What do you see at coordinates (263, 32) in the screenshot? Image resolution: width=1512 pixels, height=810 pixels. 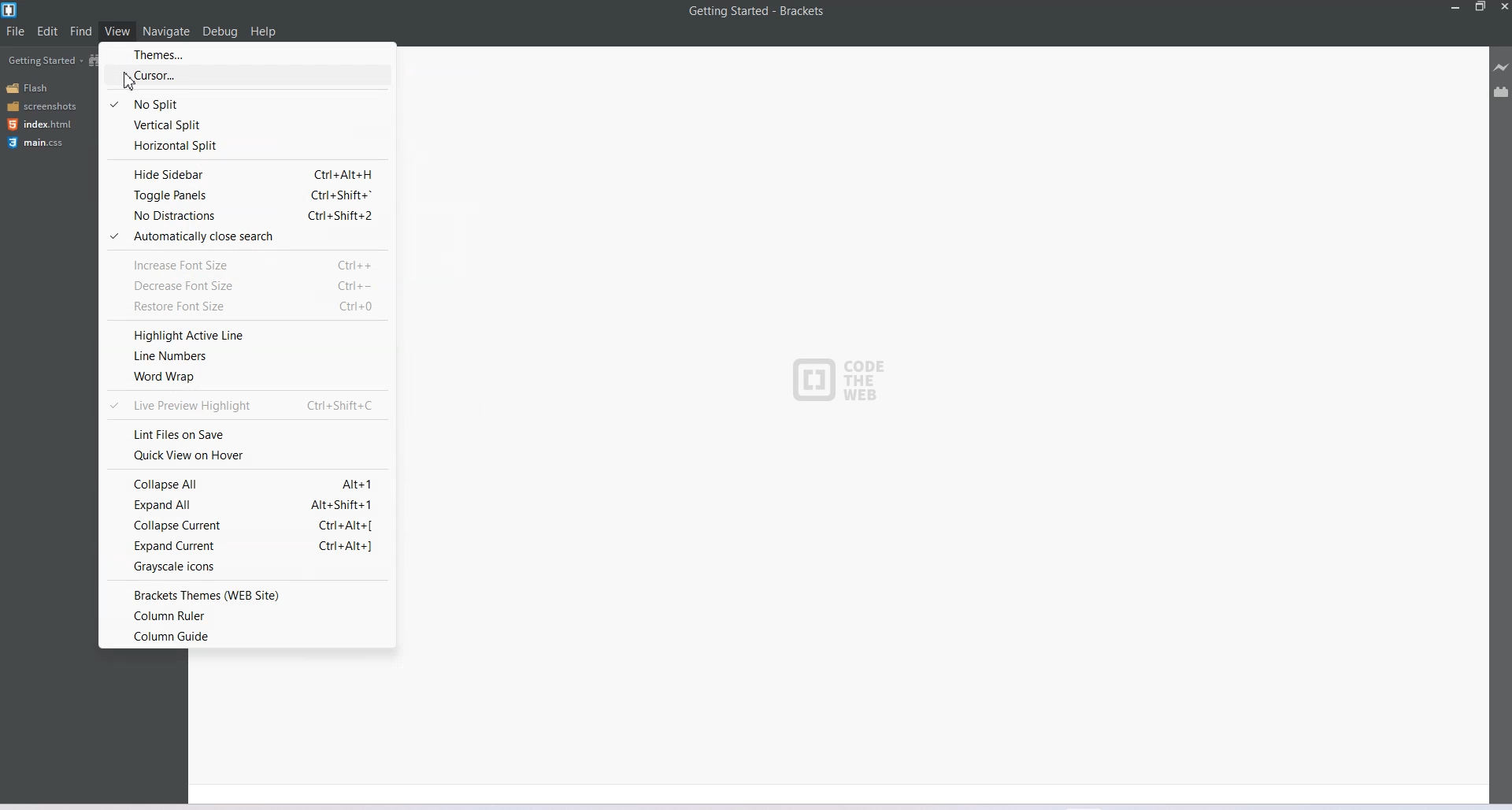 I see `Help` at bounding box center [263, 32].